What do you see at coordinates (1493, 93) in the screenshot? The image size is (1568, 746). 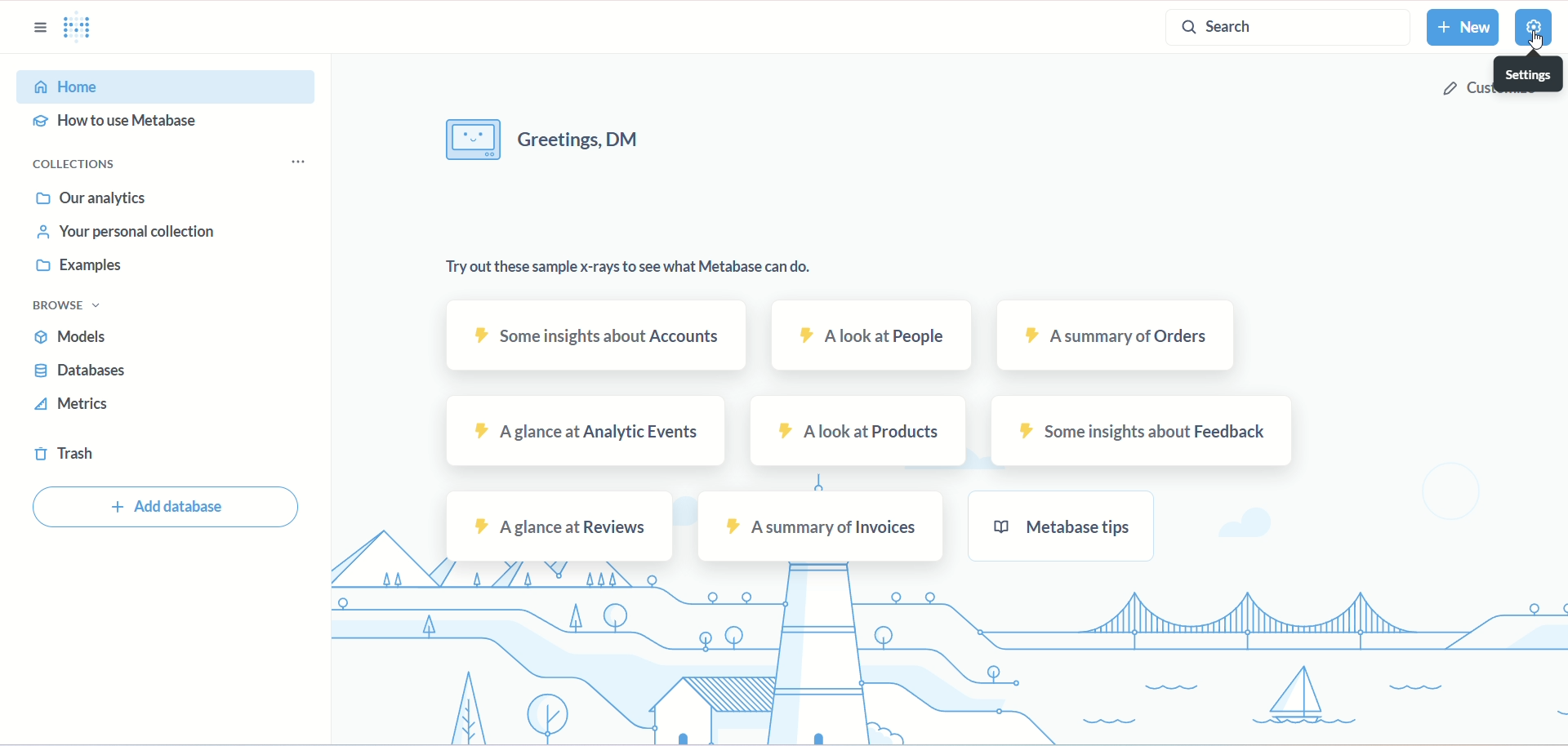 I see `customize` at bounding box center [1493, 93].